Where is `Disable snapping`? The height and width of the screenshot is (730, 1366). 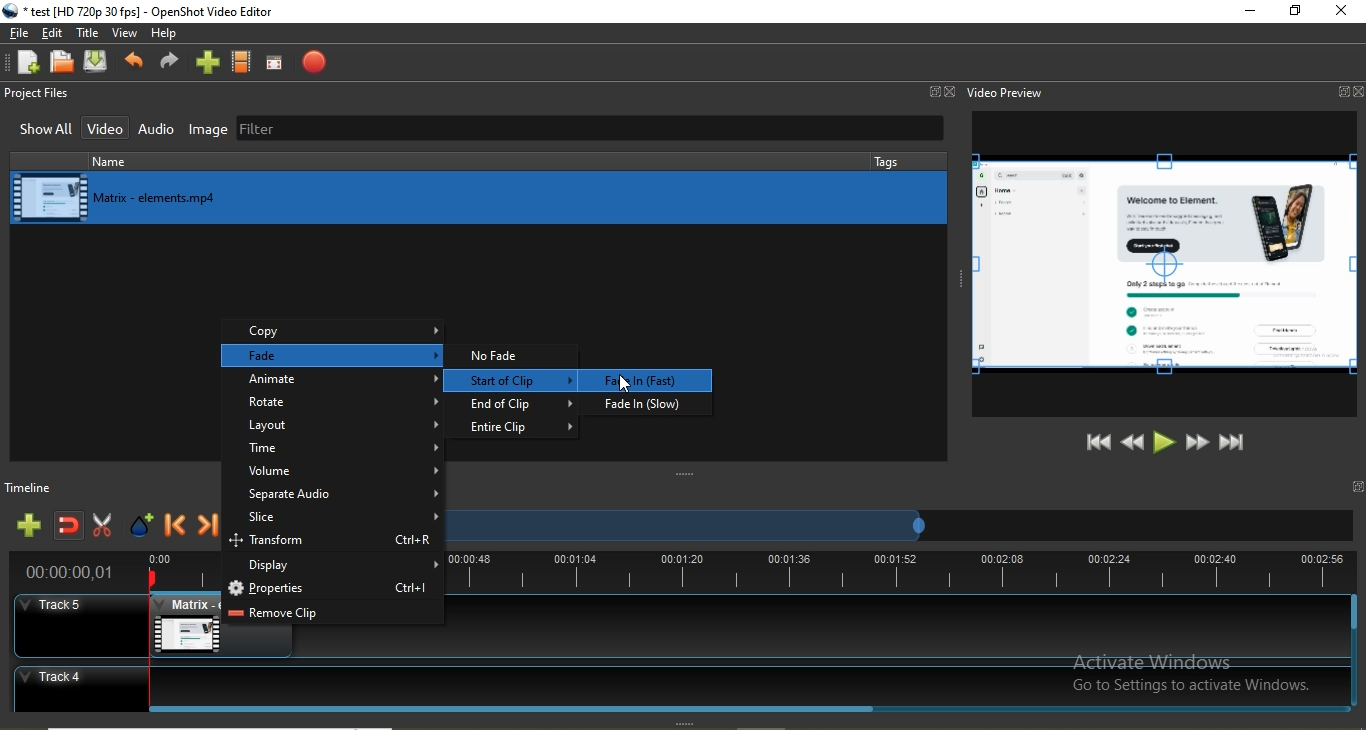 Disable snapping is located at coordinates (70, 528).